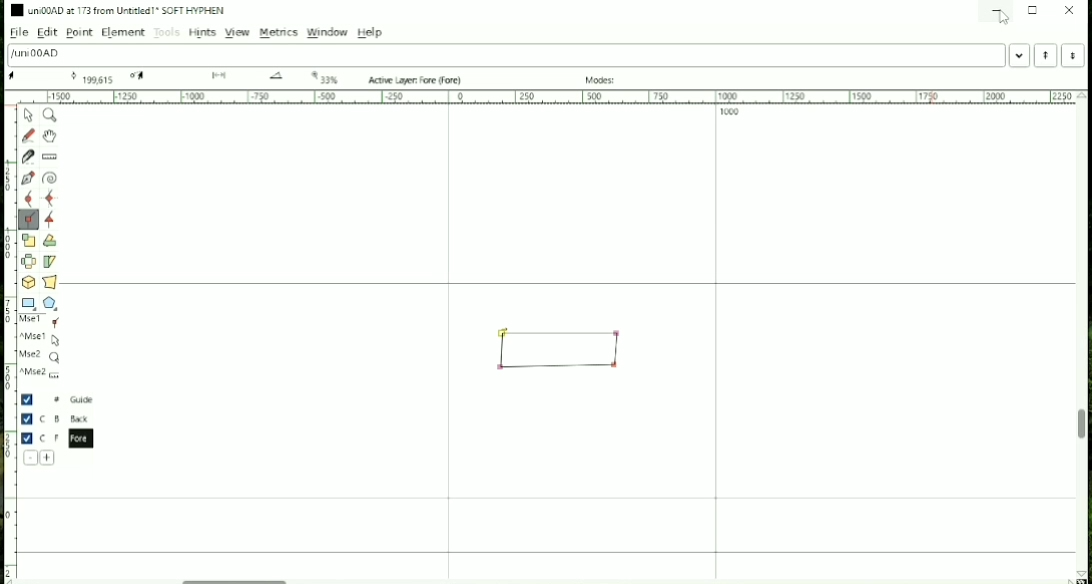 The width and height of the screenshot is (1092, 584). I want to click on Add a corner point, so click(28, 220).